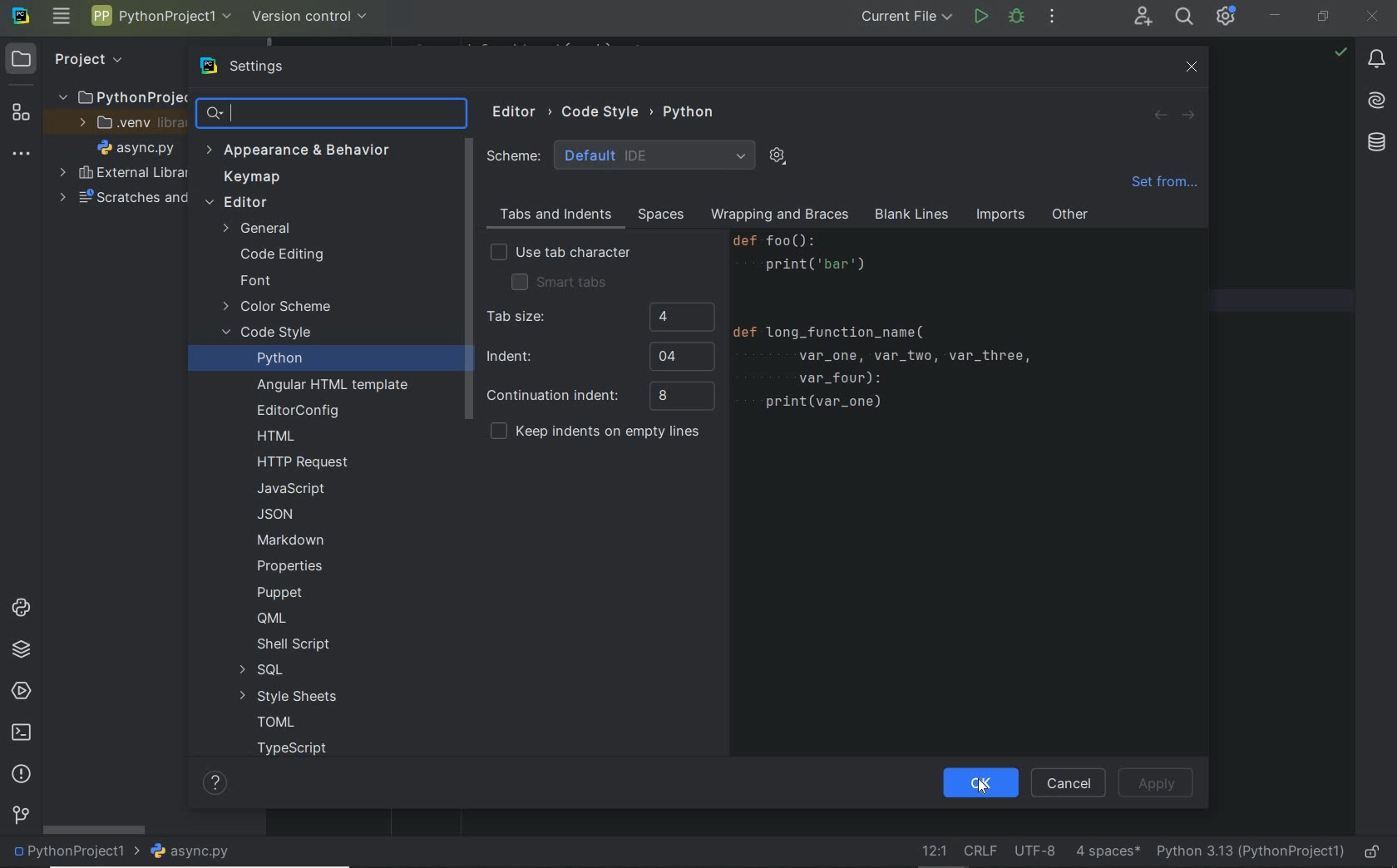 This screenshot has height=868, width=1397. Describe the element at coordinates (1163, 186) in the screenshot. I see `set from` at that location.